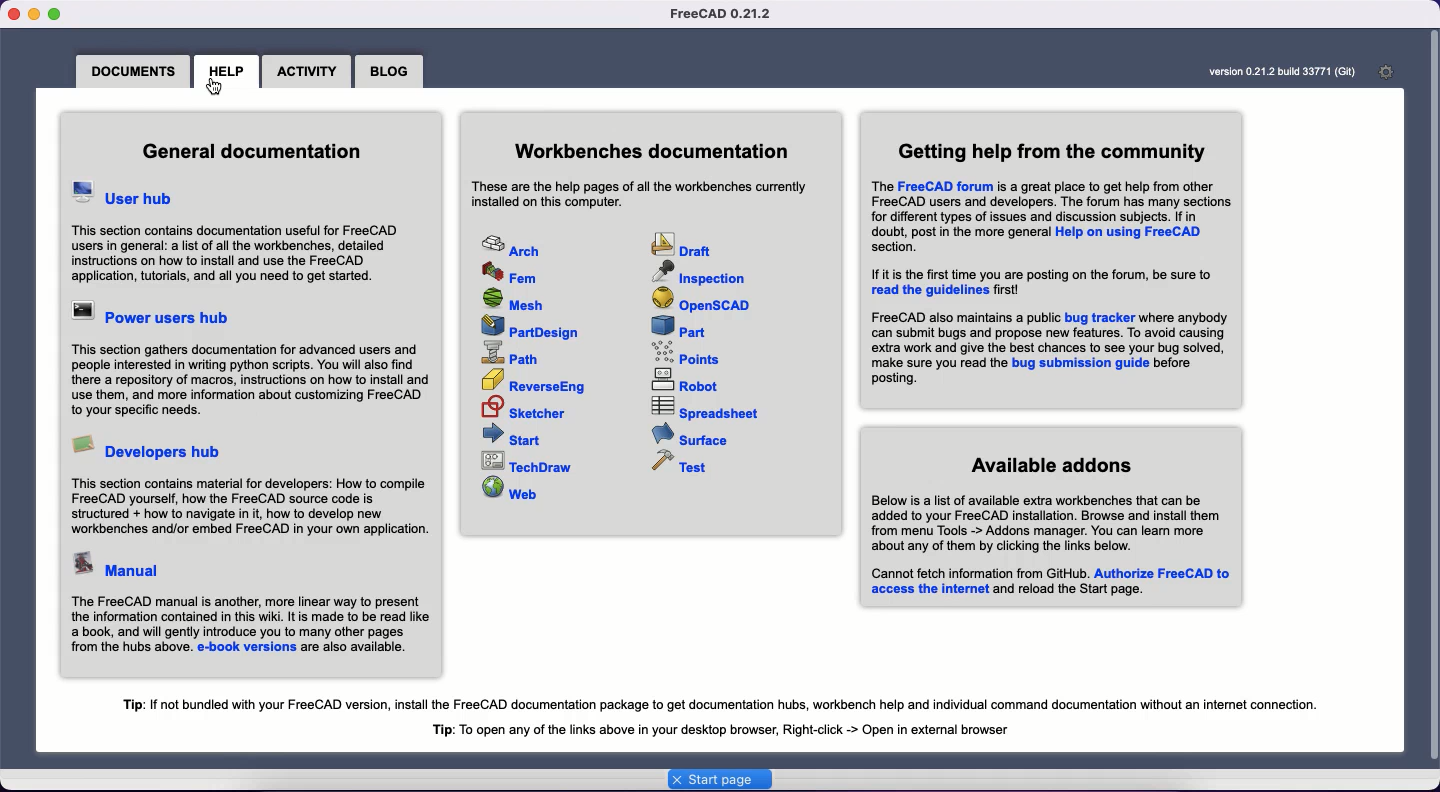 The height and width of the screenshot is (792, 1440). What do you see at coordinates (11, 14) in the screenshot?
I see `Close` at bounding box center [11, 14].